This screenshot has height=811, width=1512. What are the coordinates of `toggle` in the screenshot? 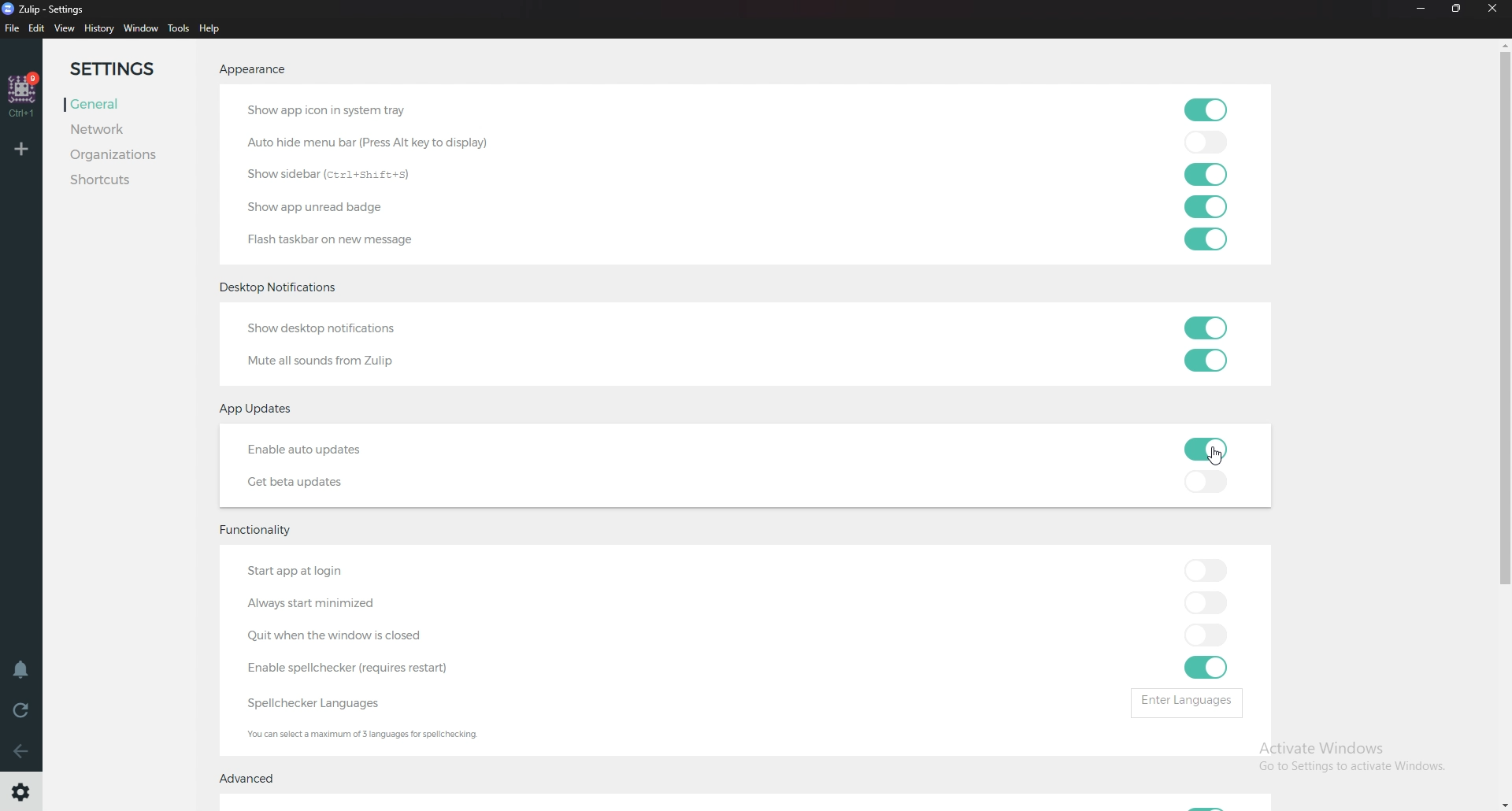 It's located at (1203, 632).